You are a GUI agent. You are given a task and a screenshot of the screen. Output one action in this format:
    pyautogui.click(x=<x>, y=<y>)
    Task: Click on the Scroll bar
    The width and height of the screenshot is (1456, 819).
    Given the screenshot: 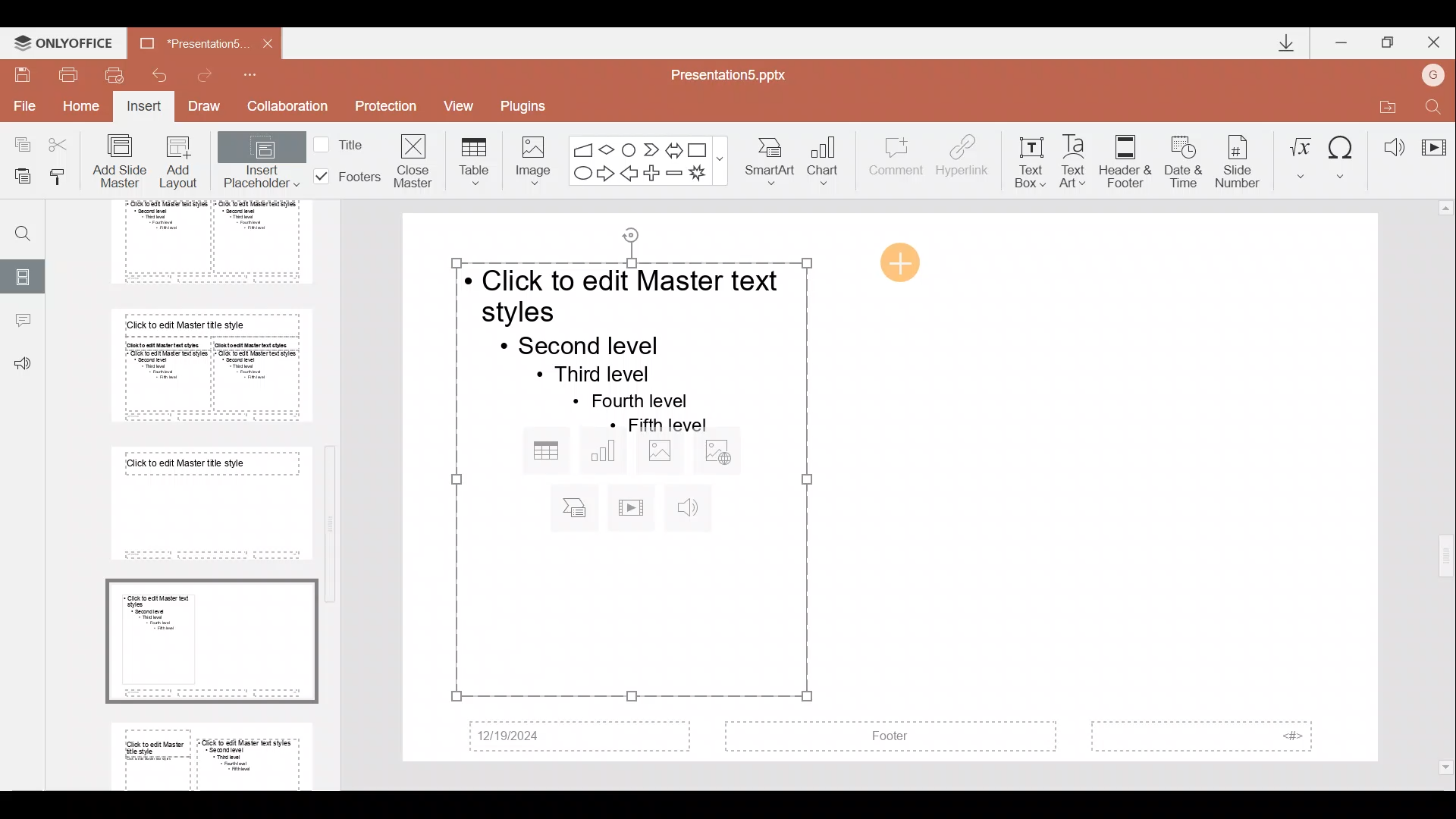 What is the action you would take?
    pyautogui.click(x=1446, y=488)
    